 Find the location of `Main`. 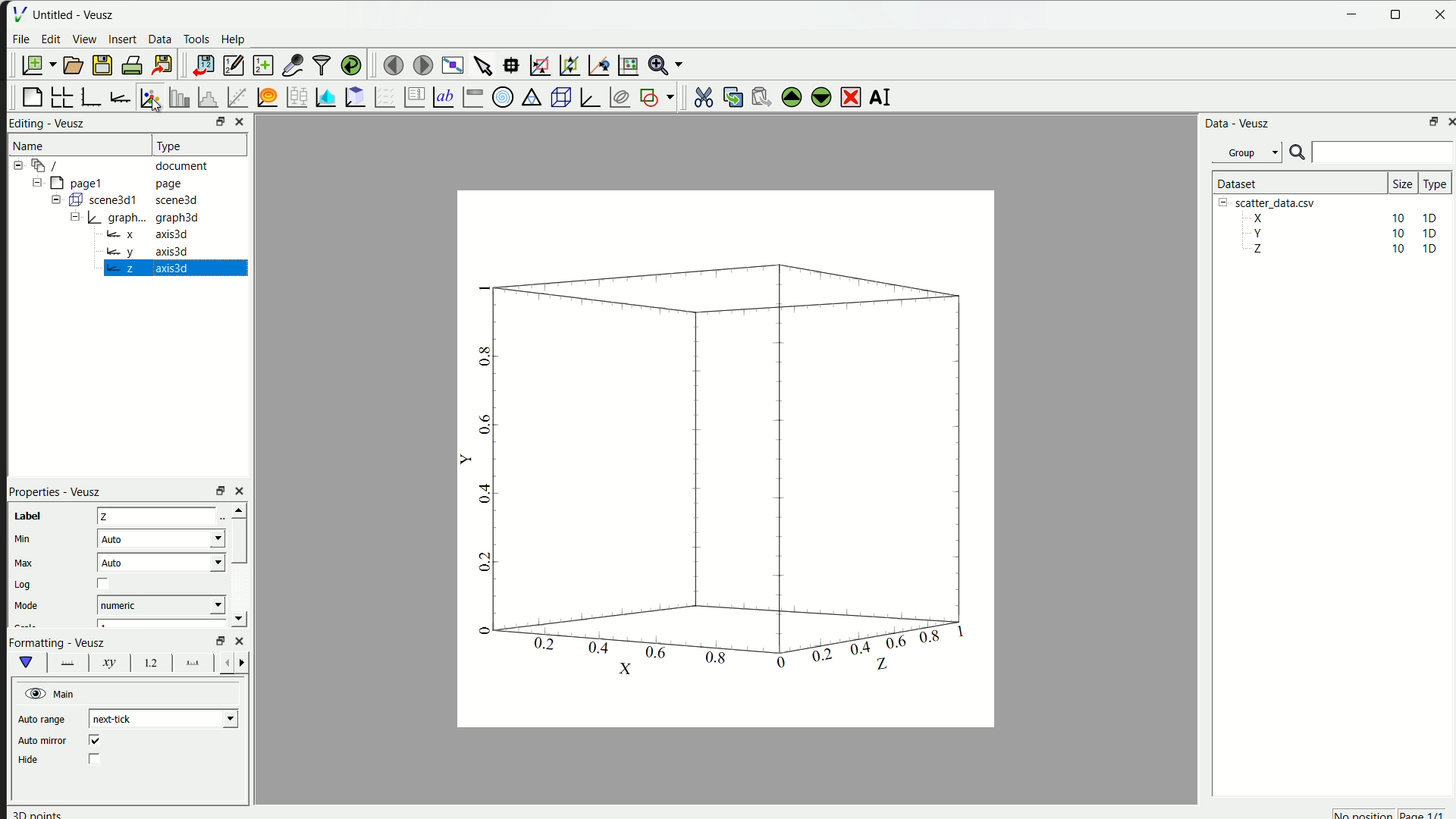

Main is located at coordinates (54, 692).